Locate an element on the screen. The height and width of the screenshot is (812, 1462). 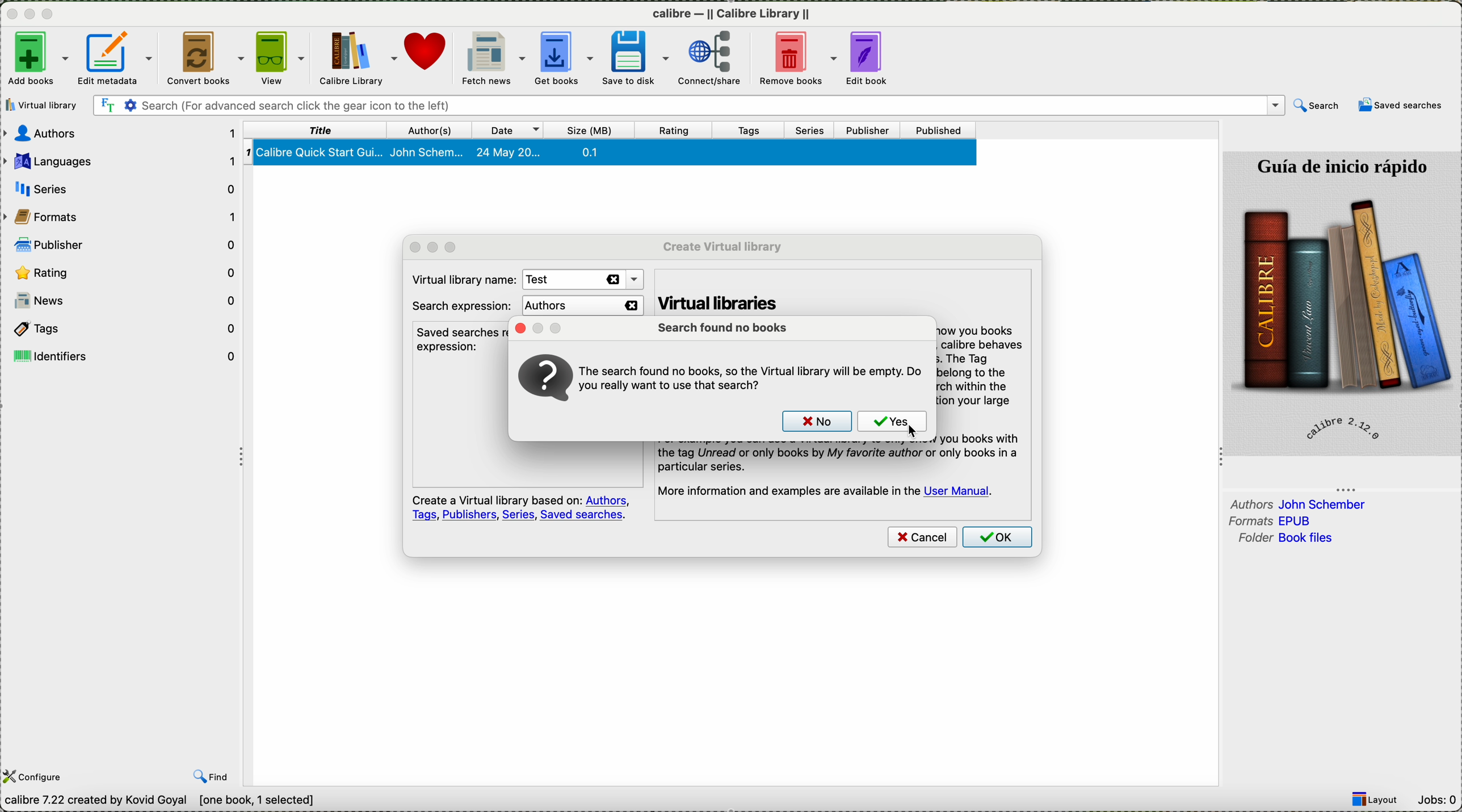
Callibre 7.22 created by Kavid Goyal [one book,1 selected] is located at coordinates (160, 801).